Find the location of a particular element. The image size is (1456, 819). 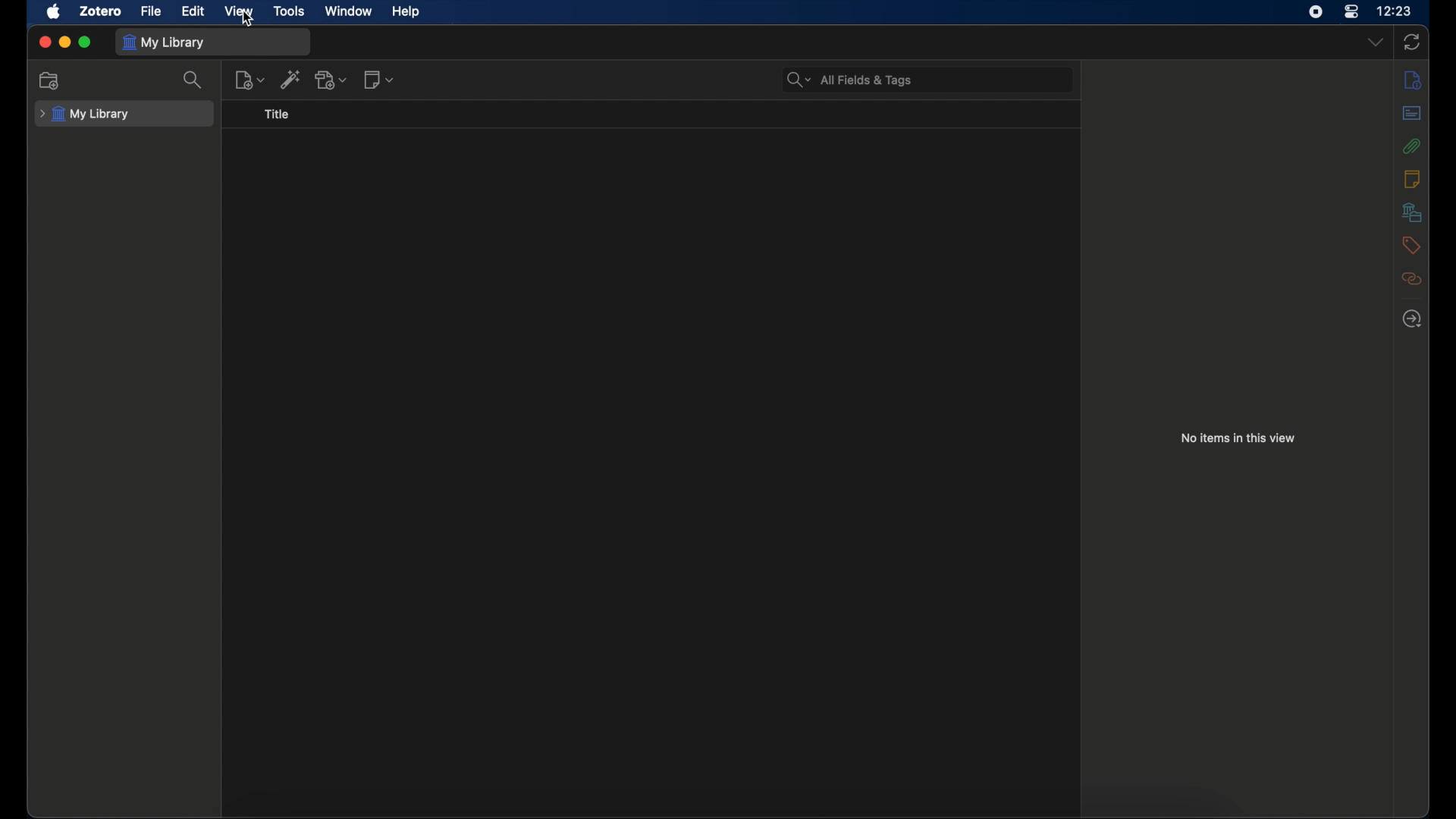

minimize is located at coordinates (65, 42).